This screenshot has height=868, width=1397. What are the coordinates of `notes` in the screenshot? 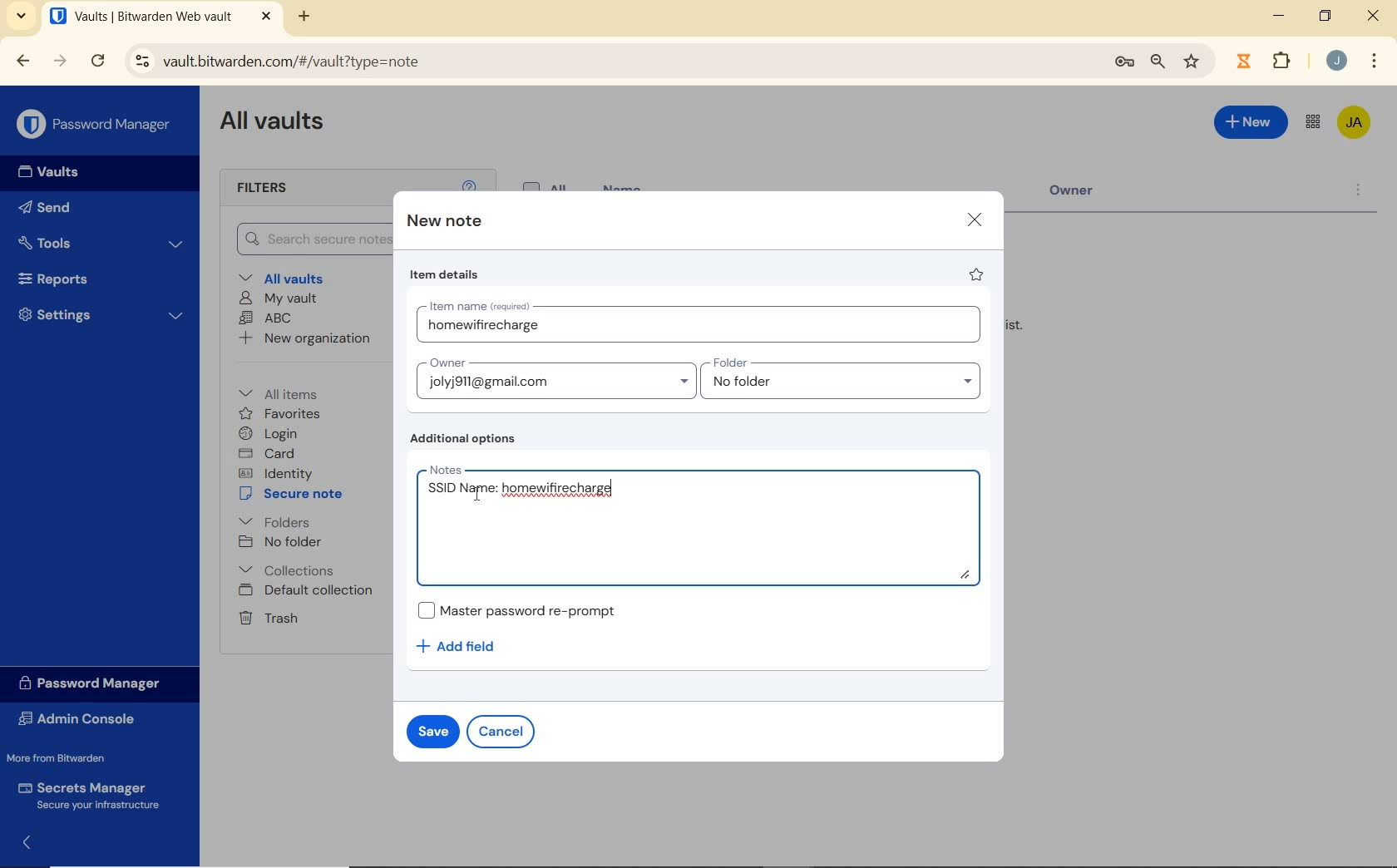 It's located at (703, 524).